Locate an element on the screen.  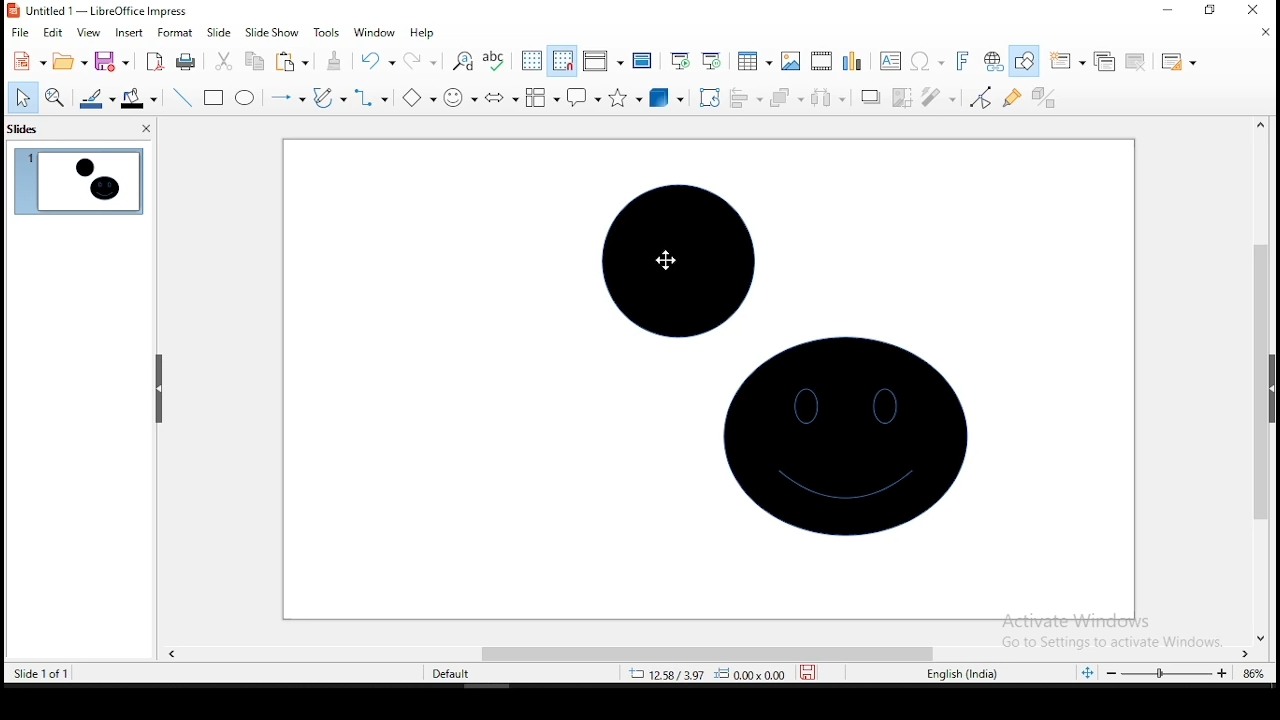
curves and polygons is located at coordinates (330, 96).